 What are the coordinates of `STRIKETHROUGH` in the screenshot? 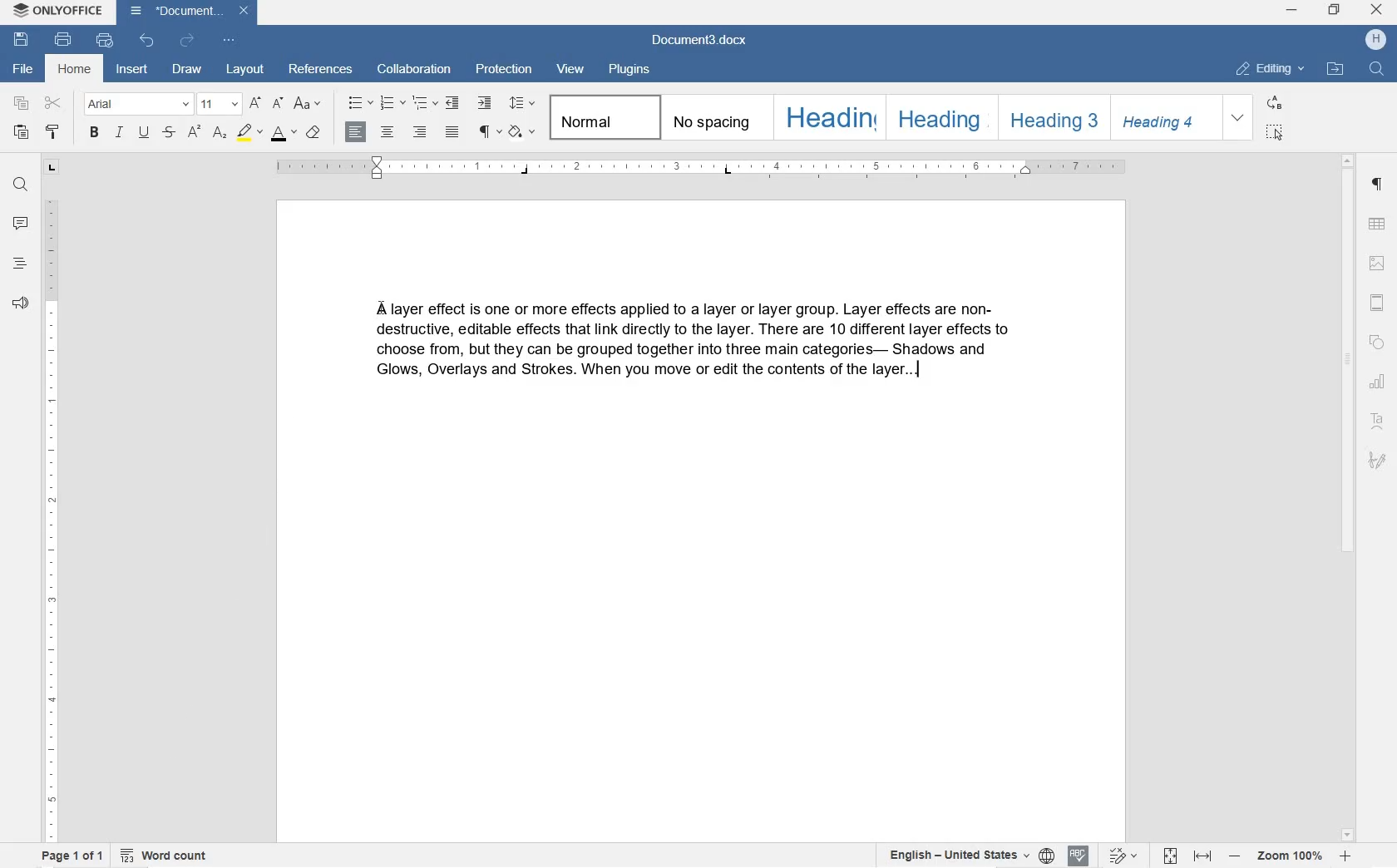 It's located at (170, 133).